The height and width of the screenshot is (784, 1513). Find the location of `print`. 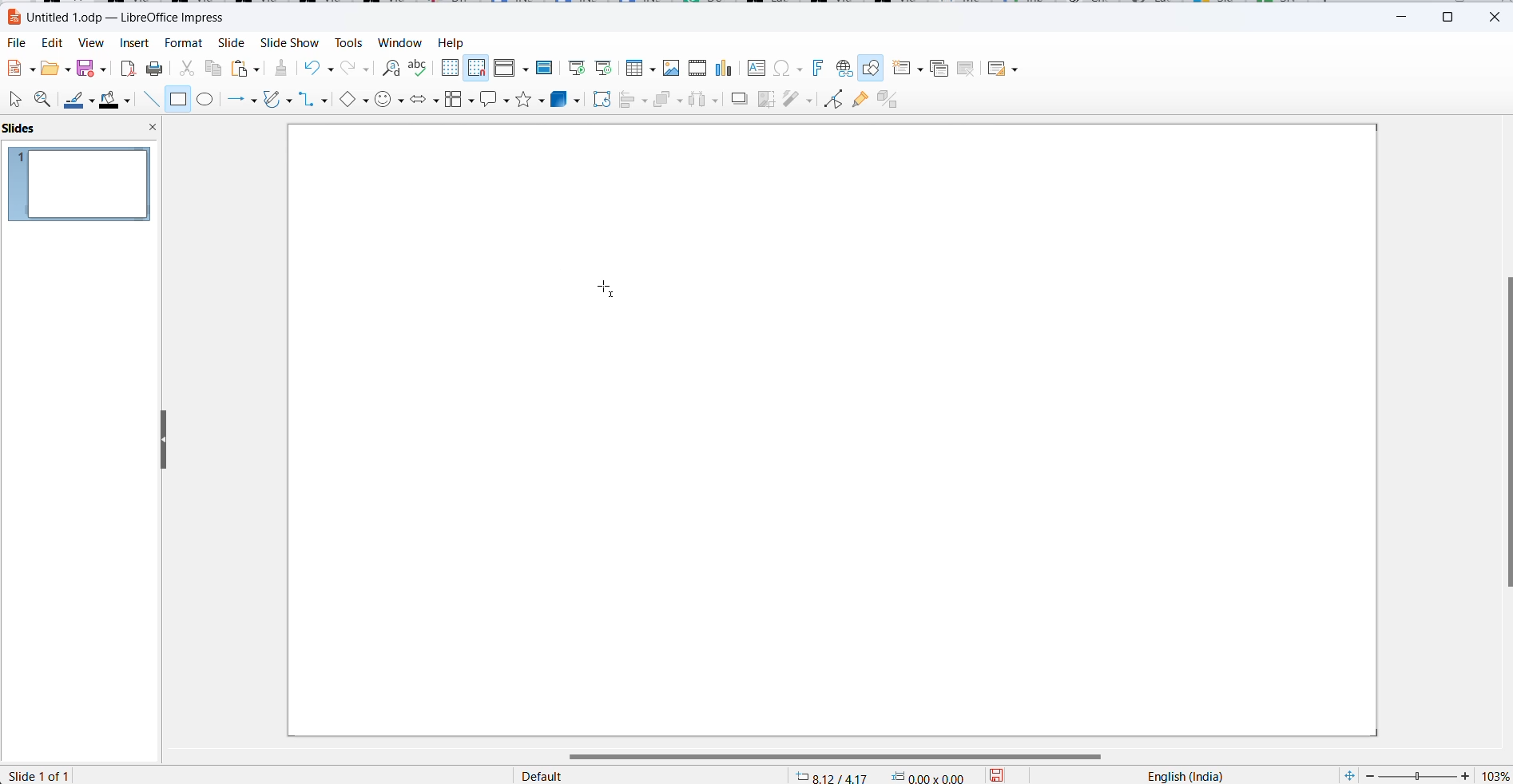

print is located at coordinates (156, 70).